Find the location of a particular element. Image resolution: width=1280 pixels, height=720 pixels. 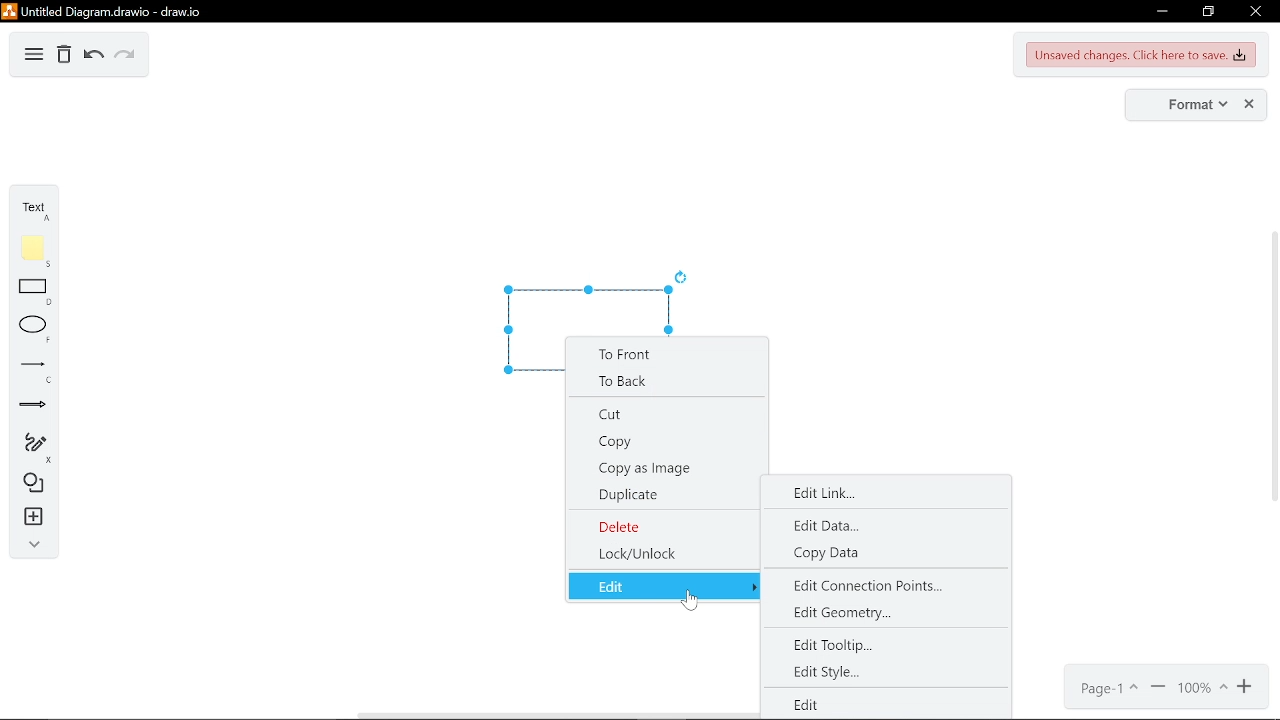

copy data is located at coordinates (830, 556).